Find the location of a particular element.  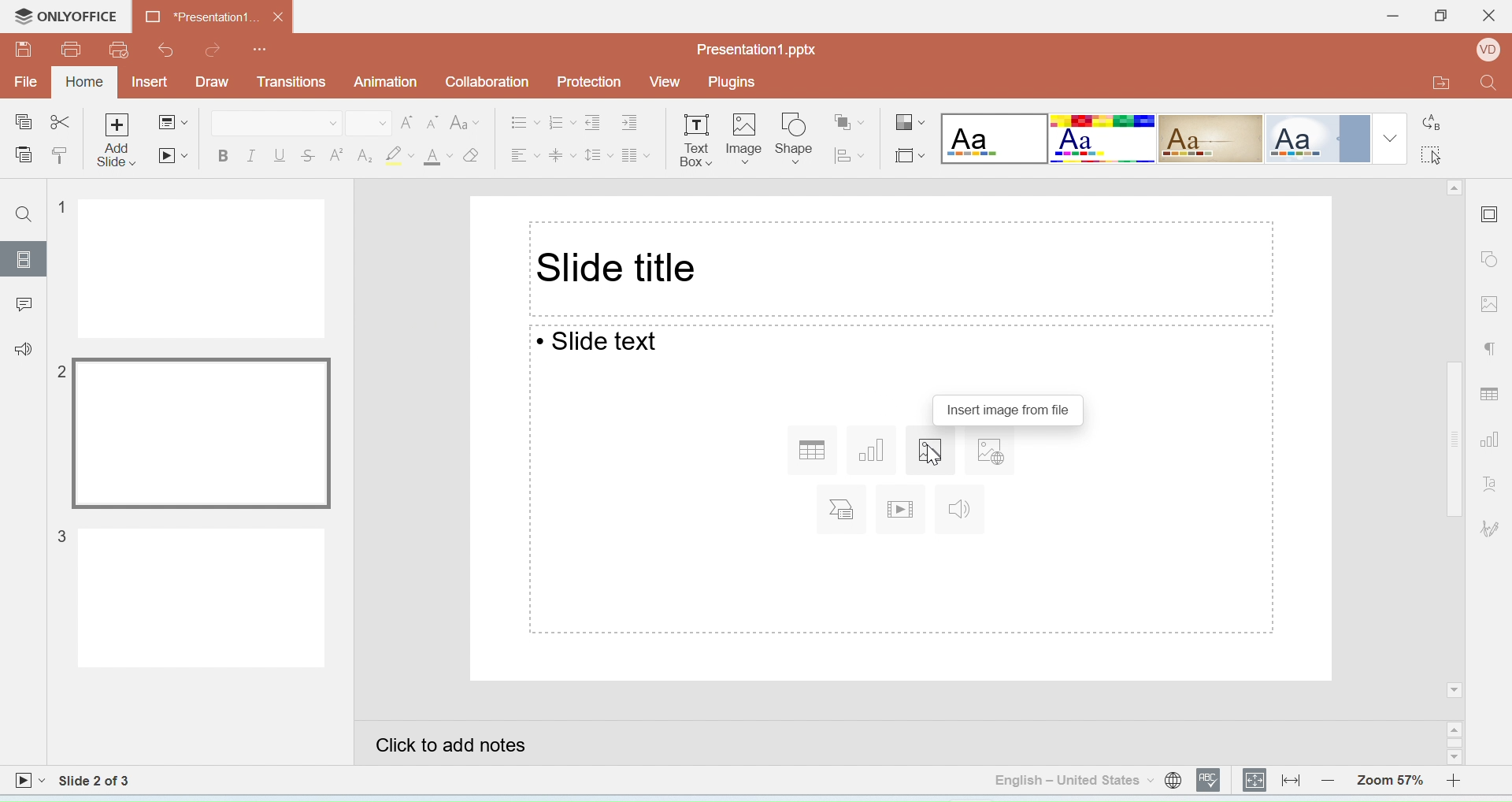

Slide 1 is located at coordinates (192, 269).